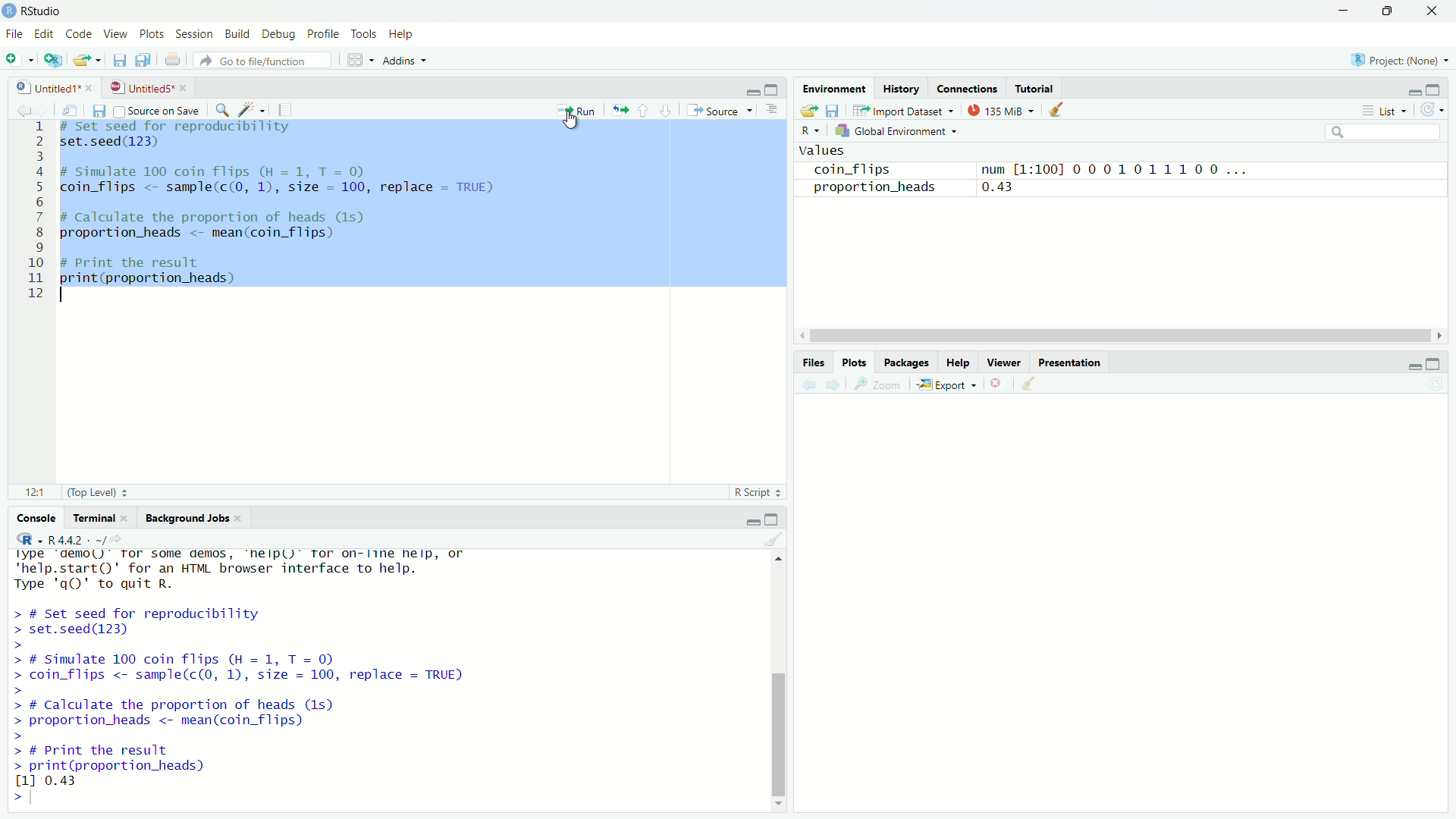 The image size is (1456, 819). I want to click on close, so click(243, 518).